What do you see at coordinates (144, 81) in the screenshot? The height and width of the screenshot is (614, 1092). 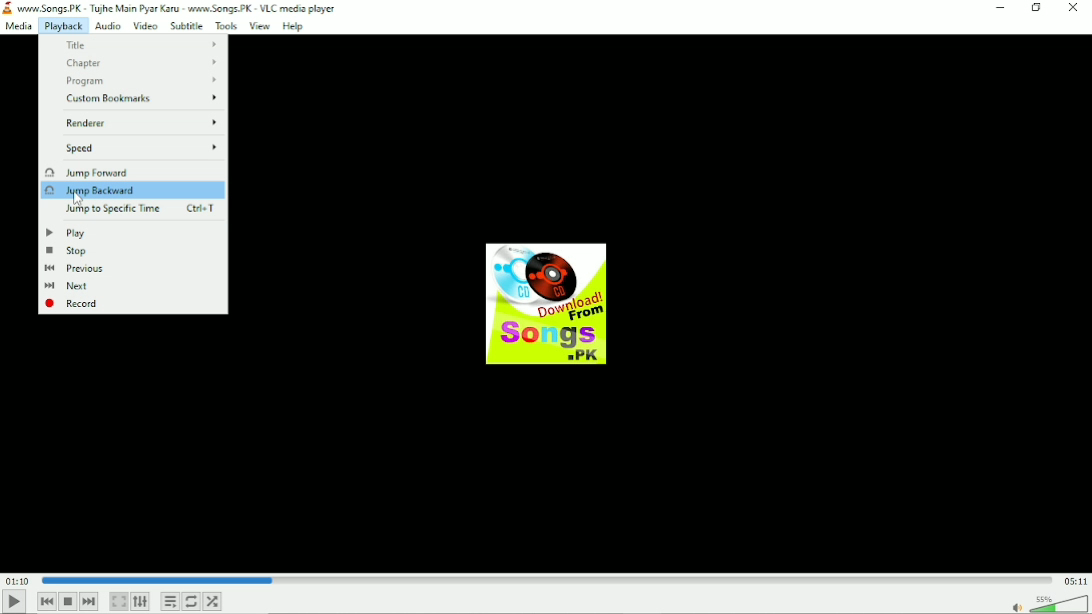 I see `Program` at bounding box center [144, 81].